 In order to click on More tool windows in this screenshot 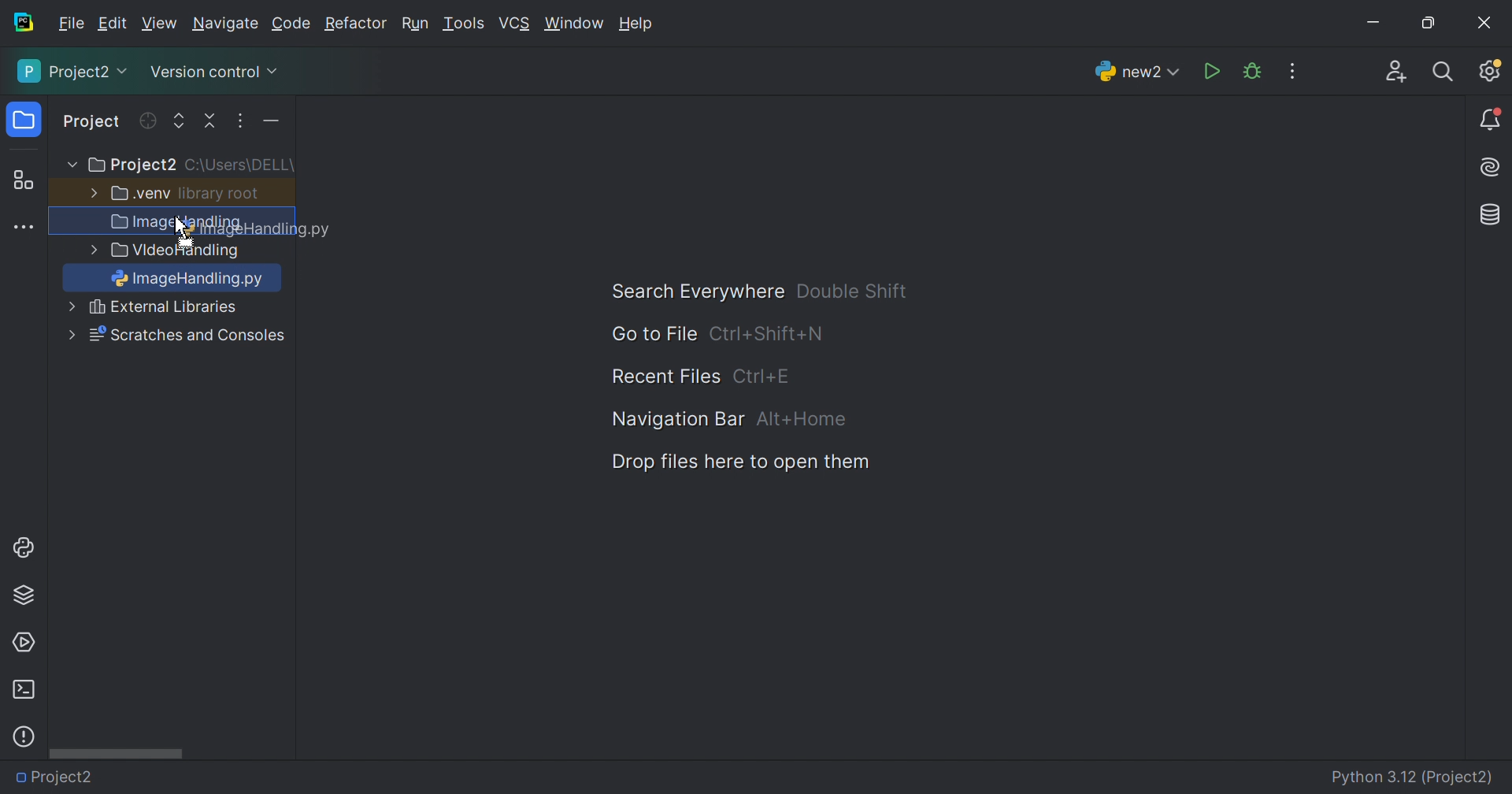, I will do `click(26, 228)`.